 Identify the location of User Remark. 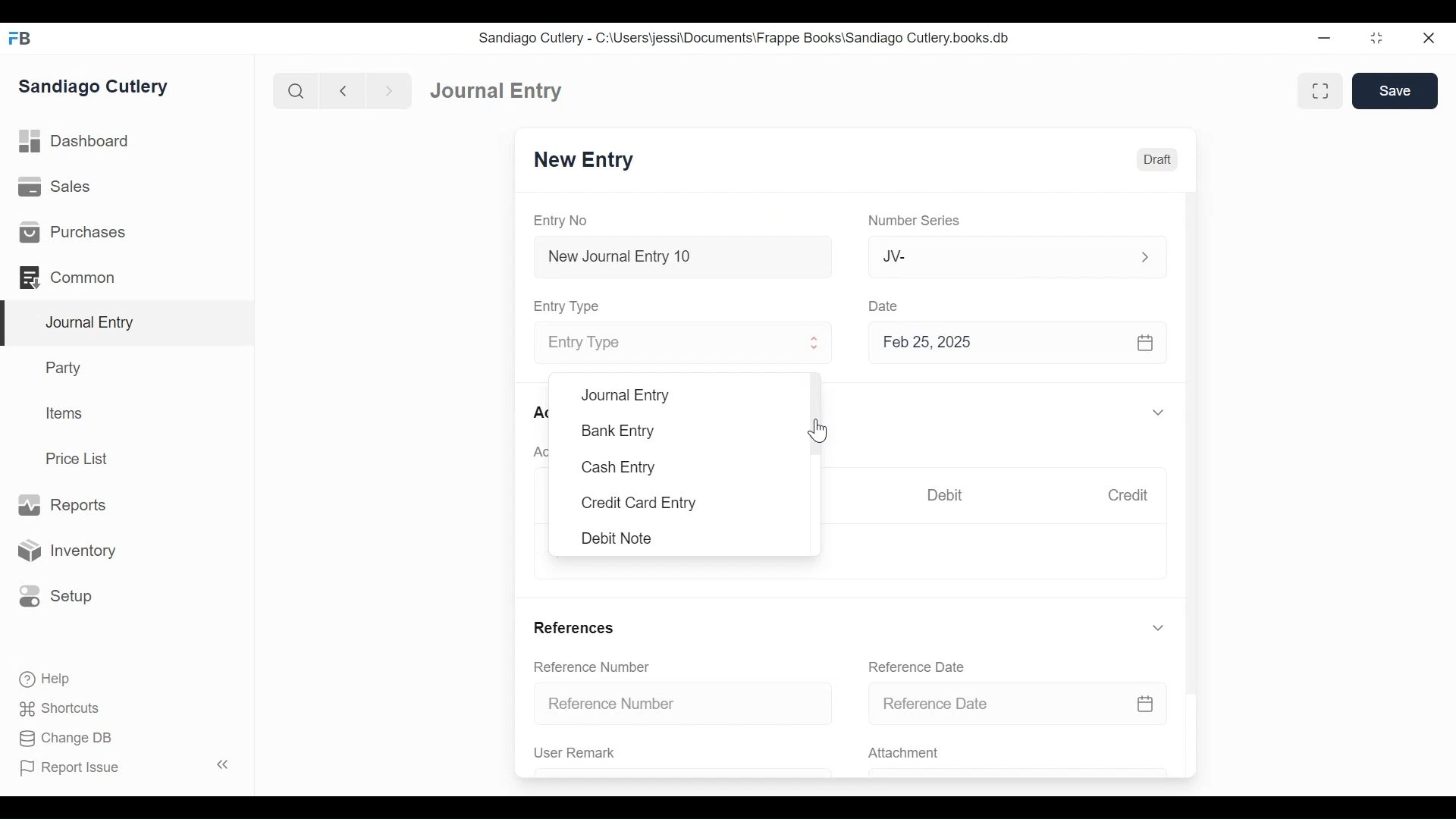
(575, 753).